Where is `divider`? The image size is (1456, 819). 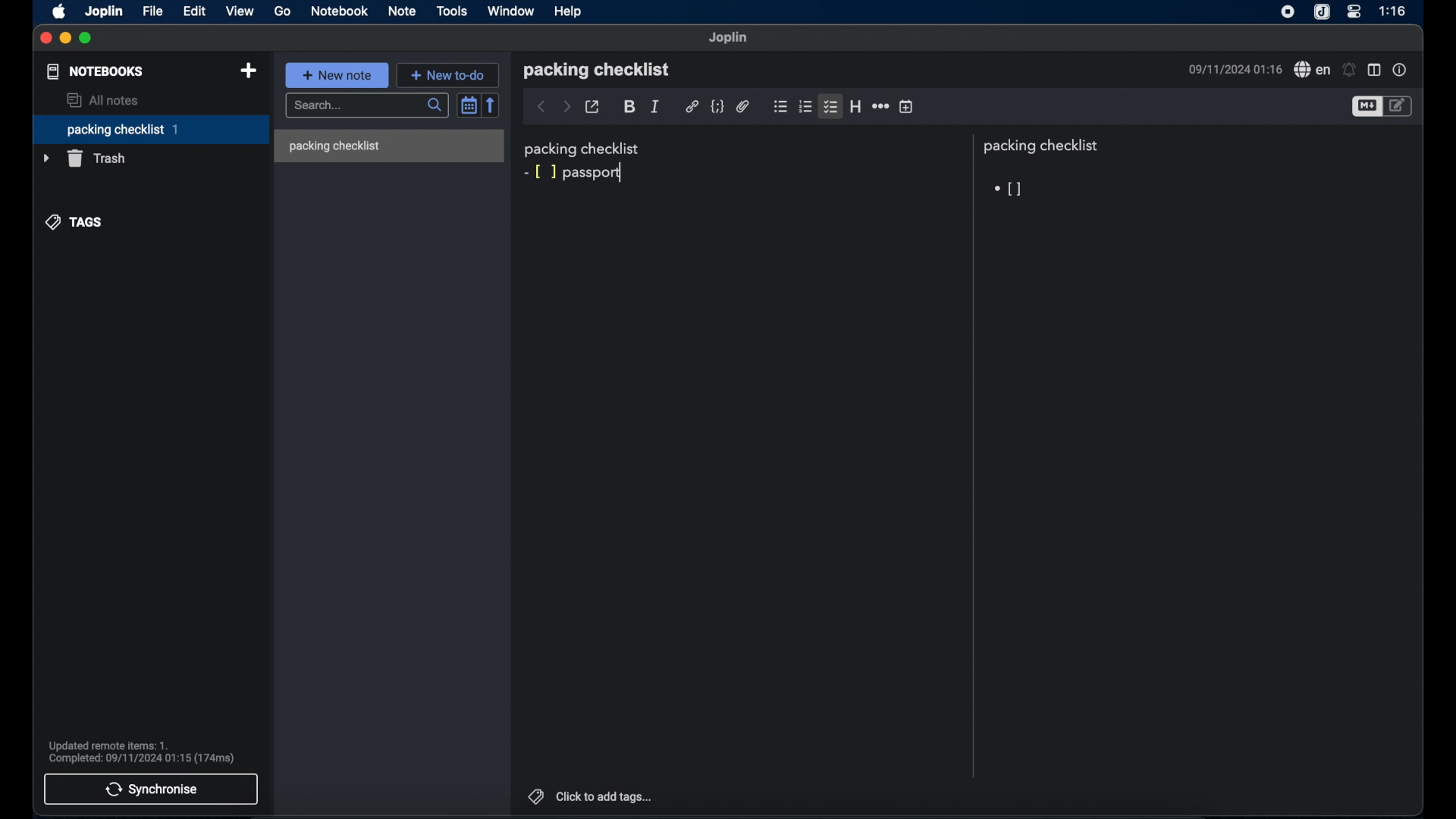 divider is located at coordinates (971, 456).